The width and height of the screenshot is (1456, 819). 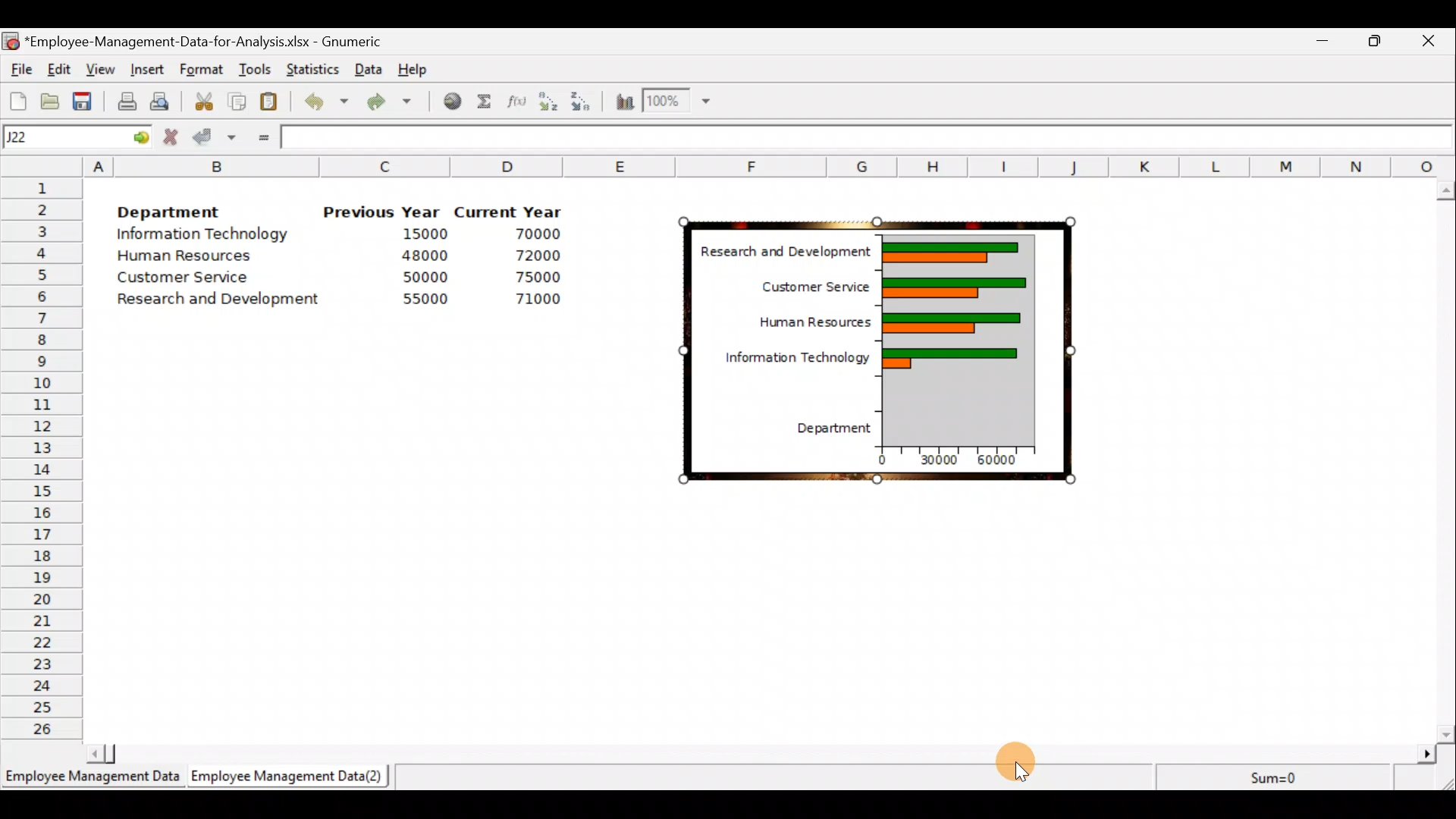 I want to click on Data, so click(x=369, y=67).